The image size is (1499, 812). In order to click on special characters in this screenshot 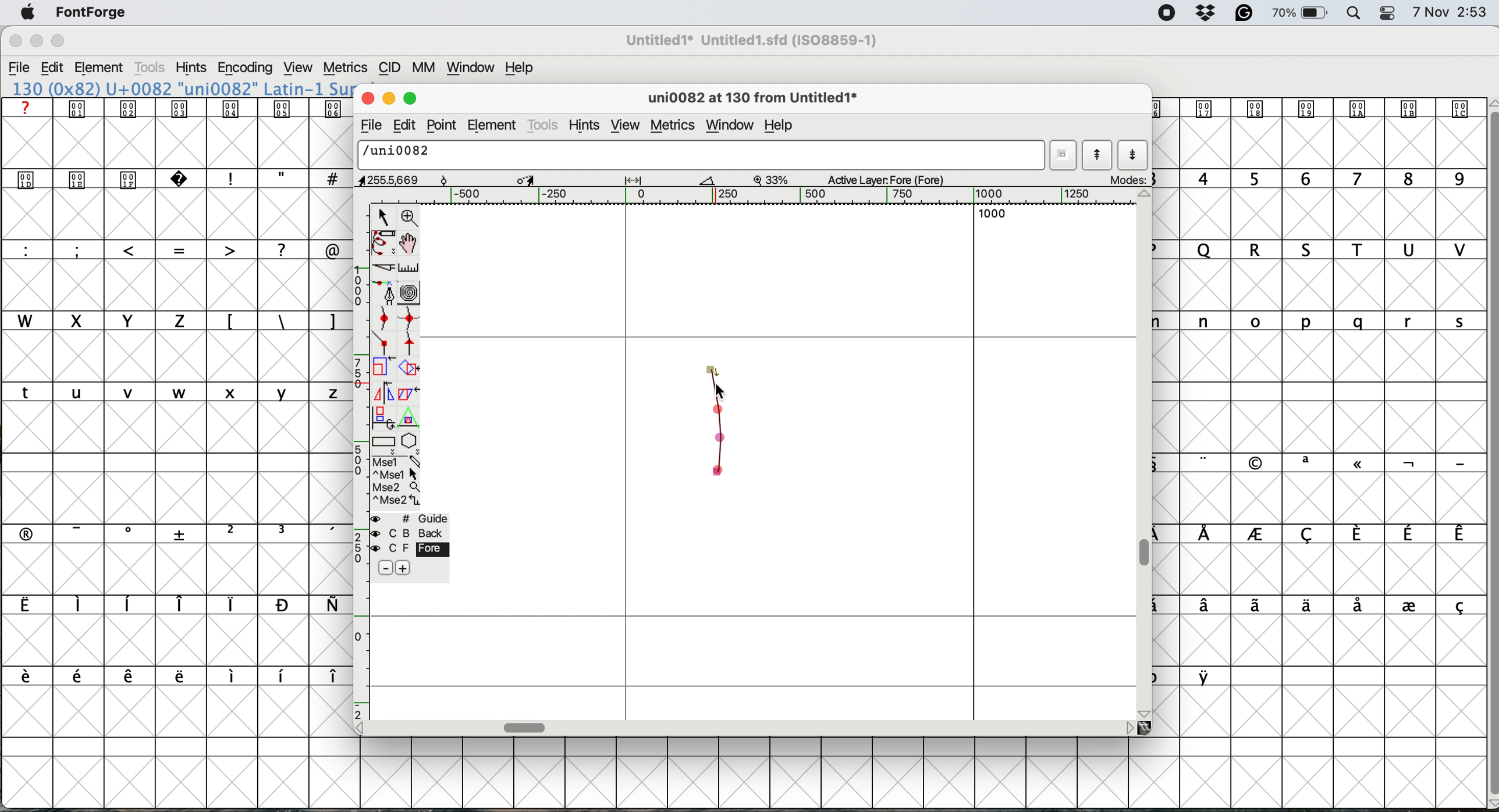, I will do `click(1319, 606)`.